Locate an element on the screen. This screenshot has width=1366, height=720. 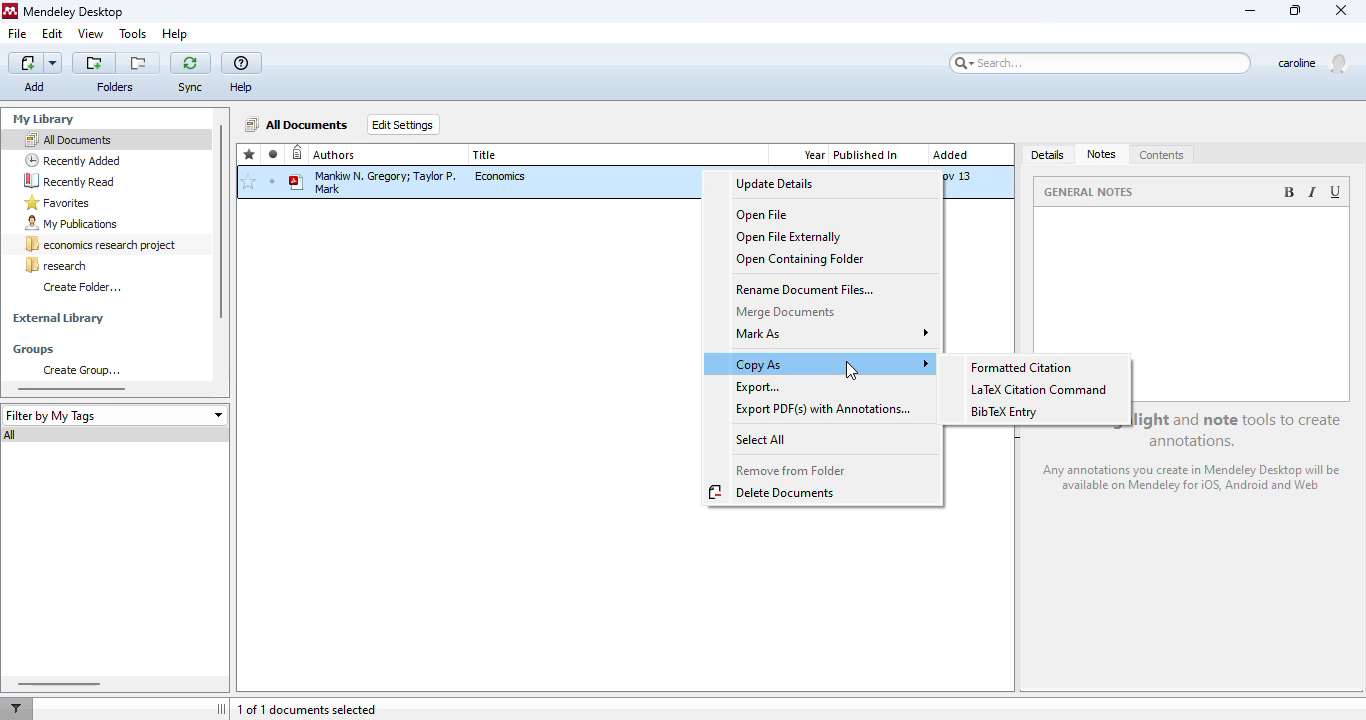
rename document files is located at coordinates (807, 290).